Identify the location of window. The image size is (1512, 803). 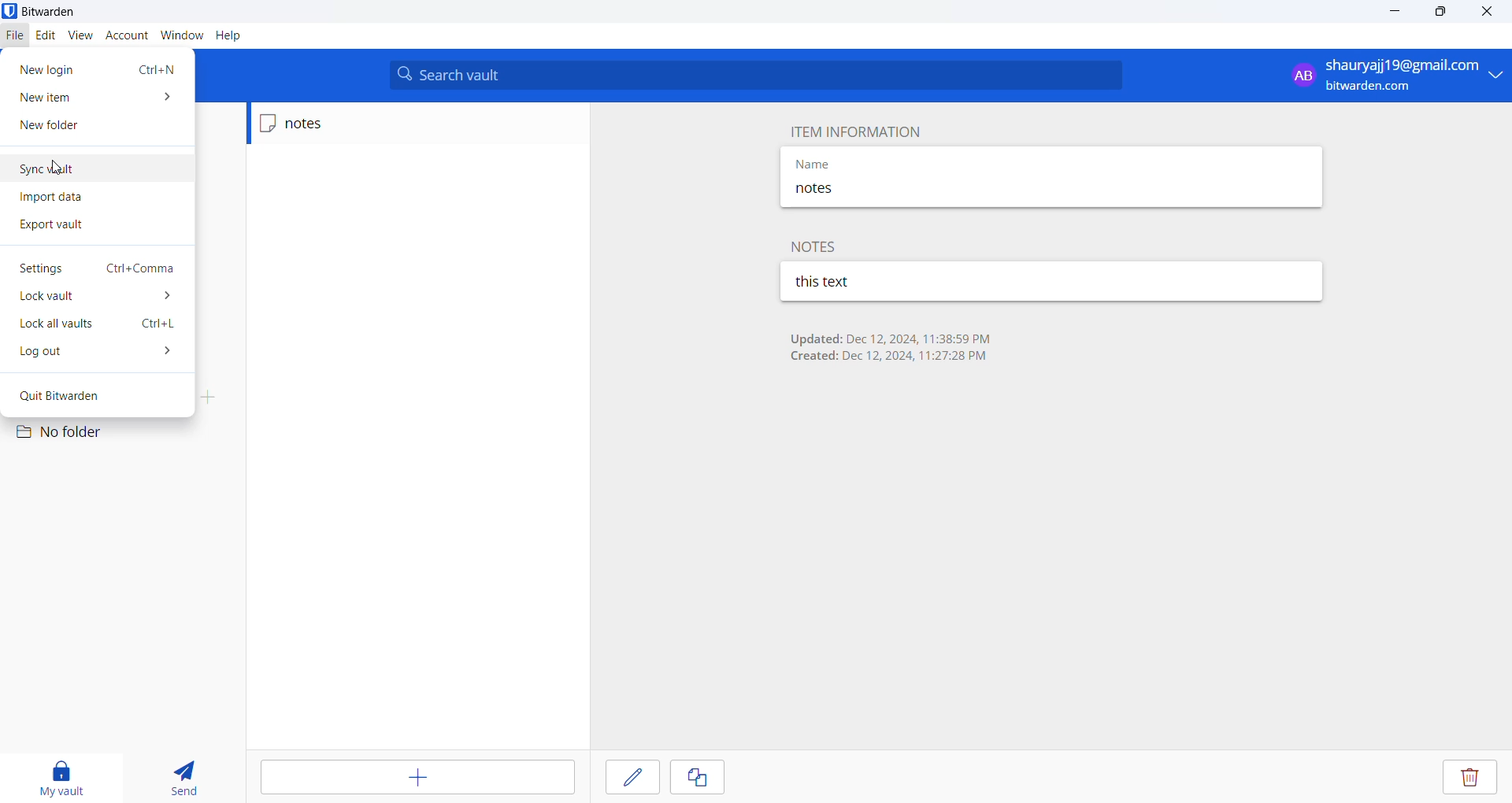
(179, 37).